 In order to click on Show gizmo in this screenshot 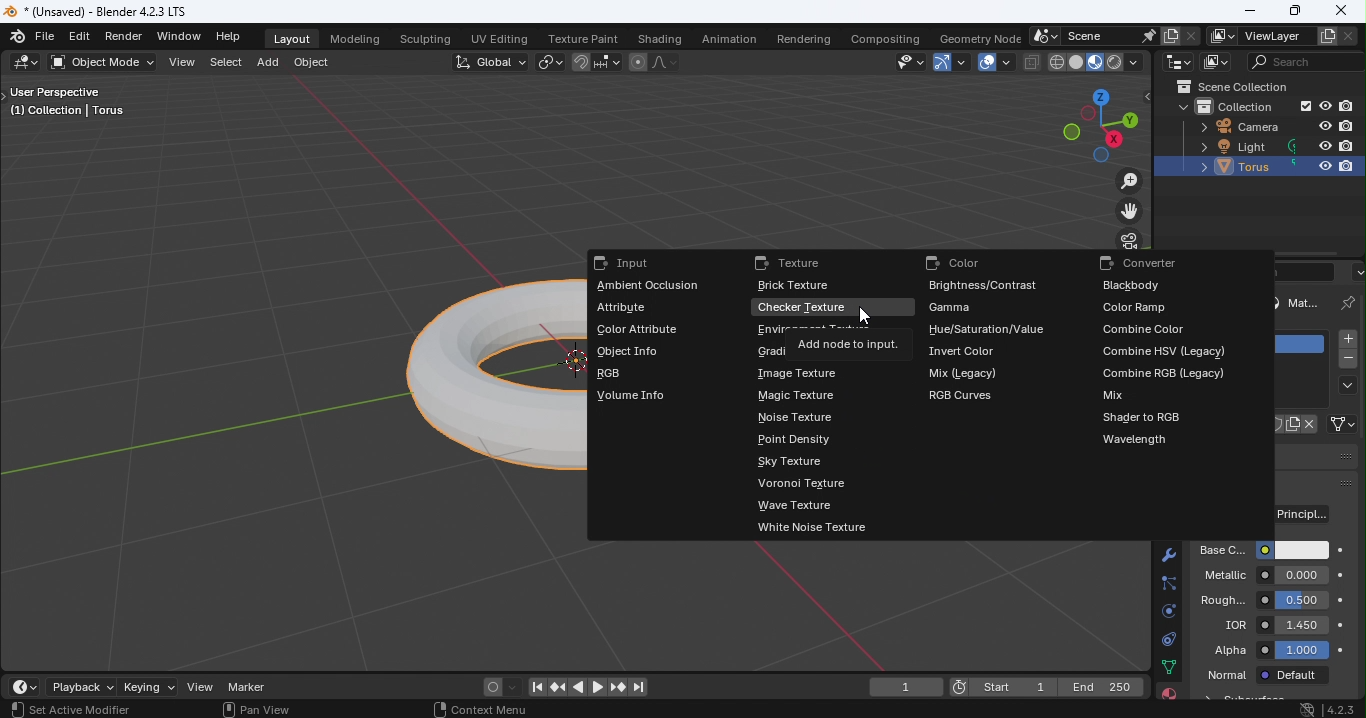, I will do `click(952, 63)`.